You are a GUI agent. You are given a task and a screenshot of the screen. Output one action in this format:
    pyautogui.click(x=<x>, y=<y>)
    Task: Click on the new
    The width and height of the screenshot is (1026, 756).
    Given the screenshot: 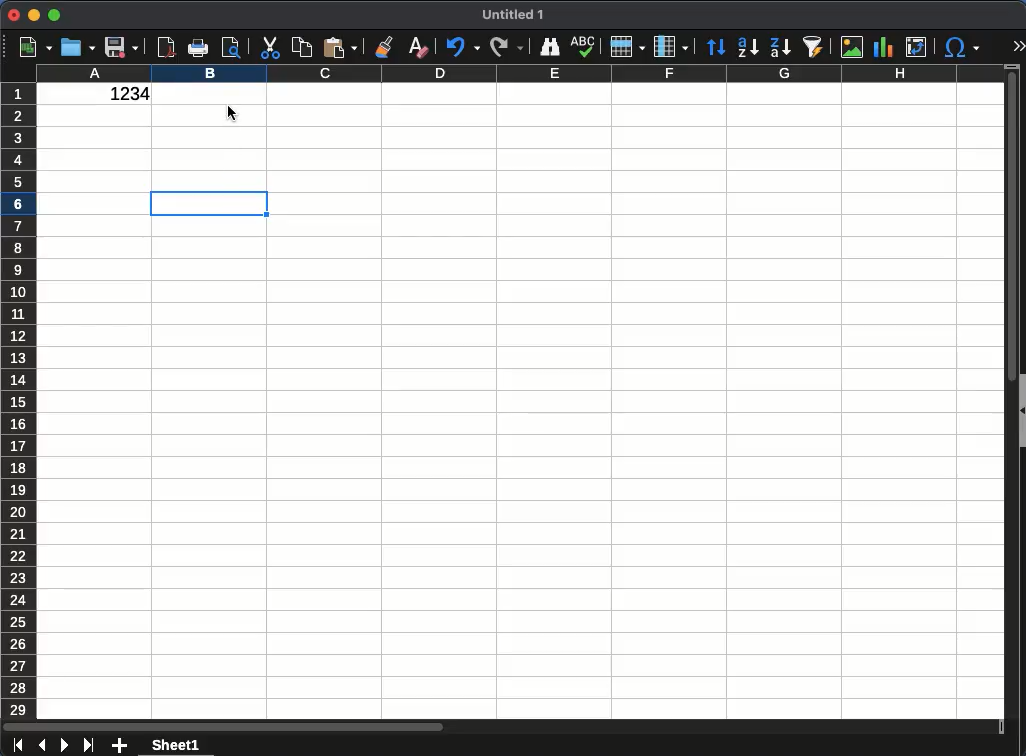 What is the action you would take?
    pyautogui.click(x=34, y=48)
    